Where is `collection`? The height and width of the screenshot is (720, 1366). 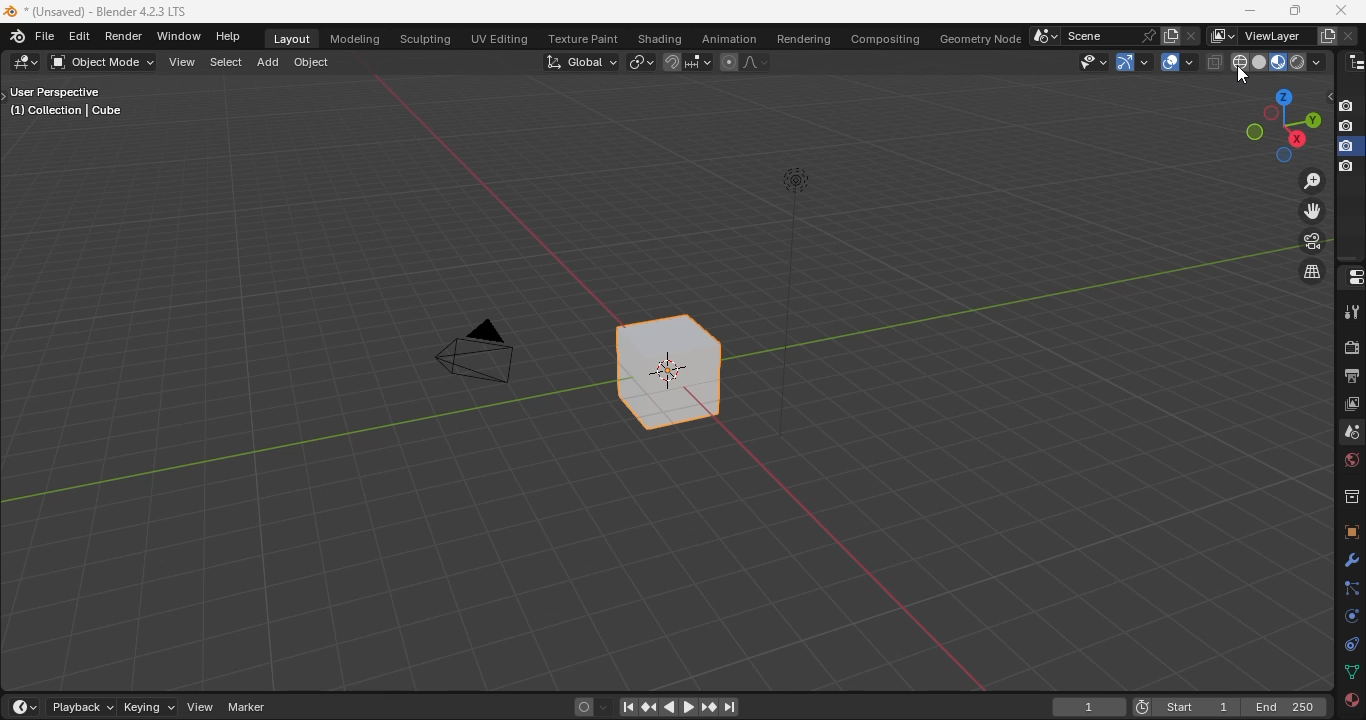 collection is located at coordinates (1350, 495).